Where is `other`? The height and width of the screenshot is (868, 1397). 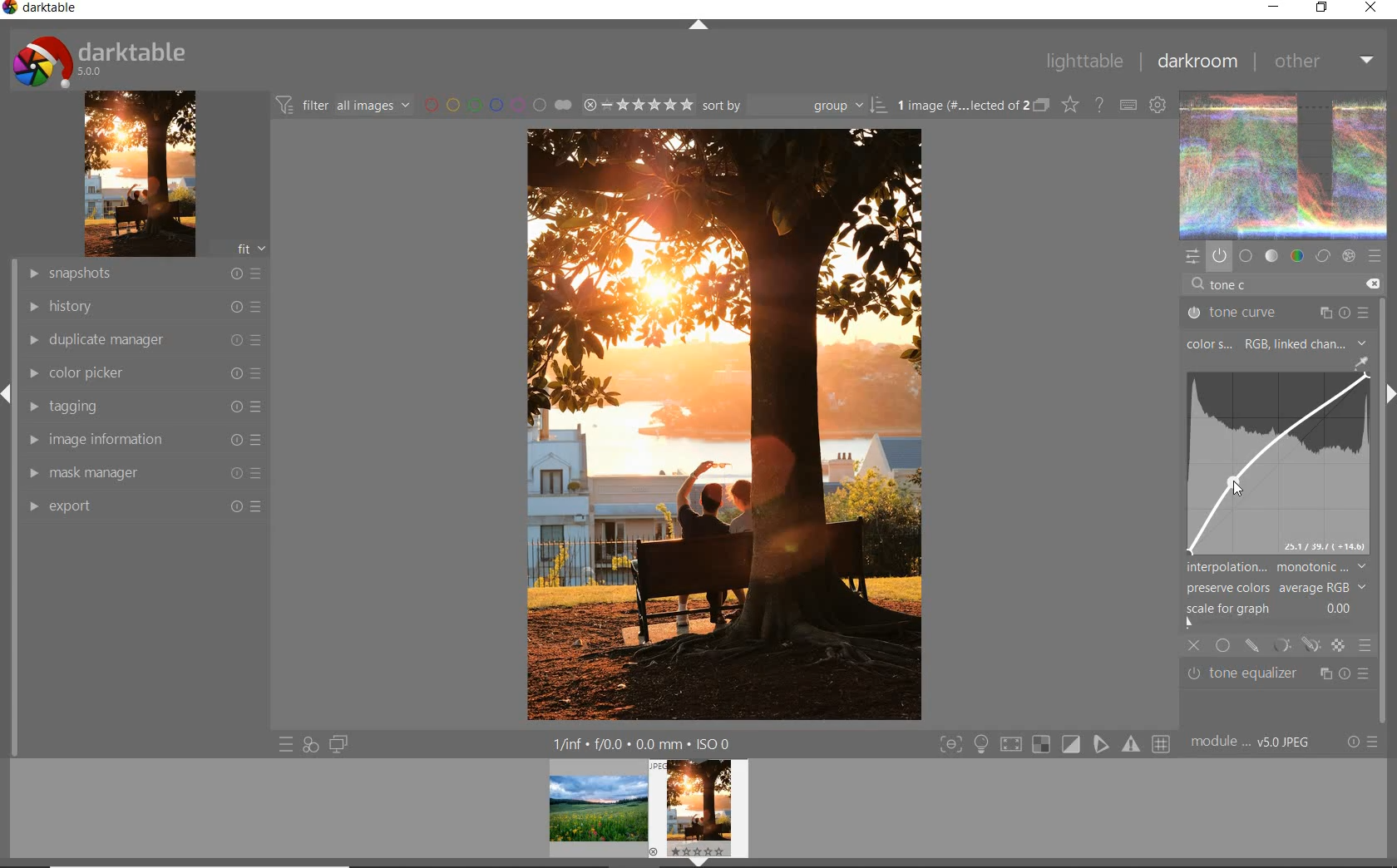
other is located at coordinates (1320, 60).